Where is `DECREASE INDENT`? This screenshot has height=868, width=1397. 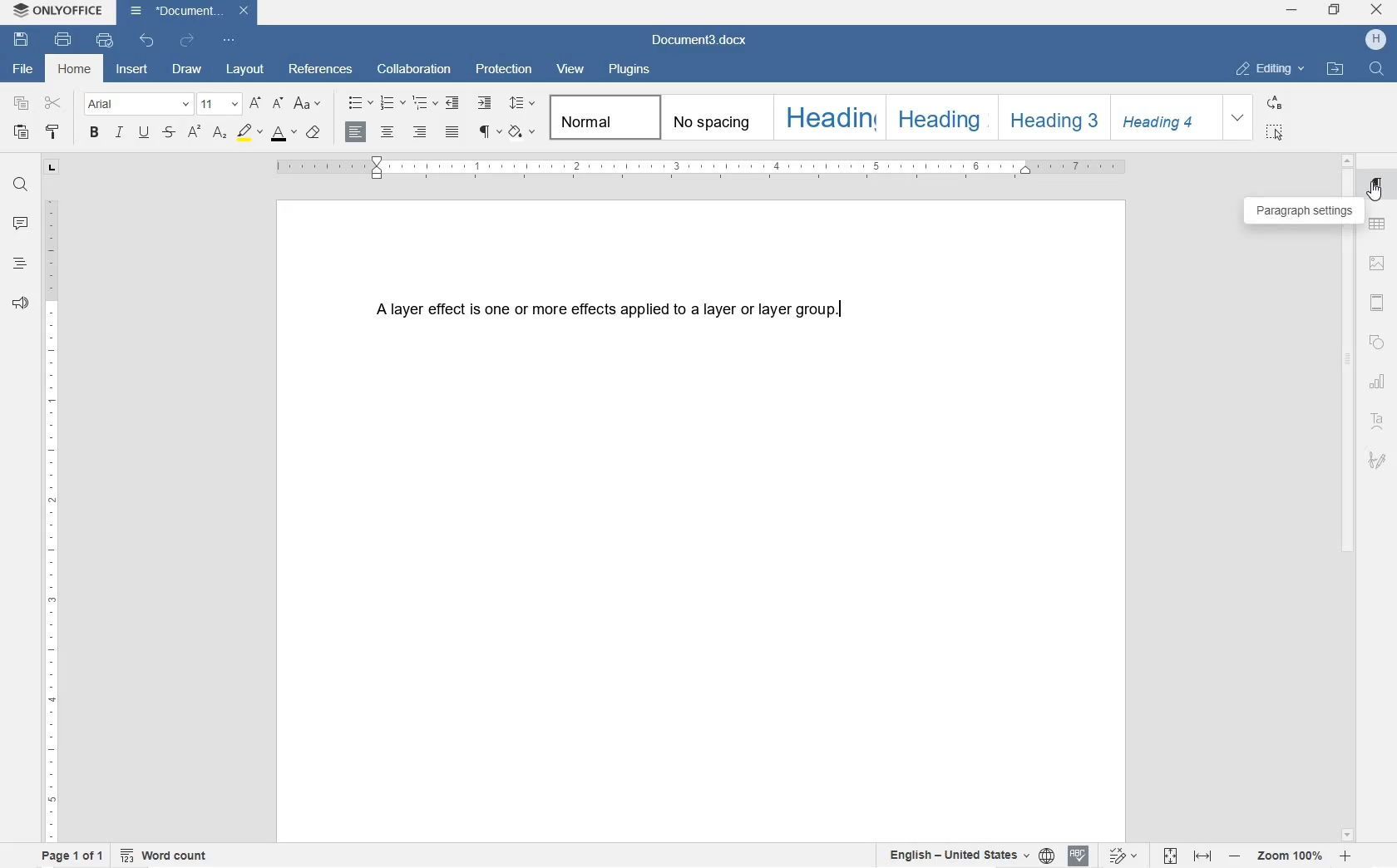
DECREASE INDENT is located at coordinates (454, 103).